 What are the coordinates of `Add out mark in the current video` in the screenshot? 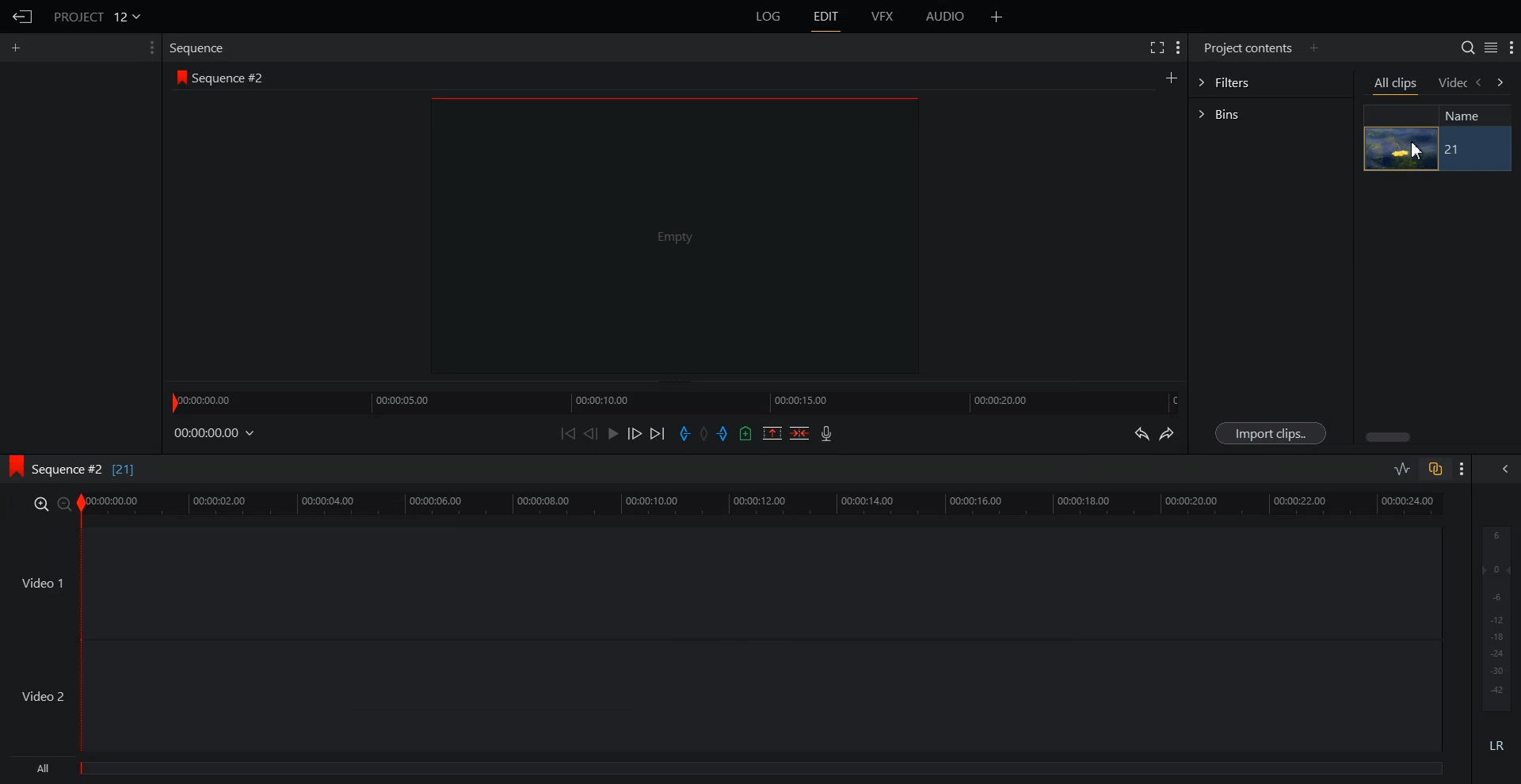 It's located at (723, 434).